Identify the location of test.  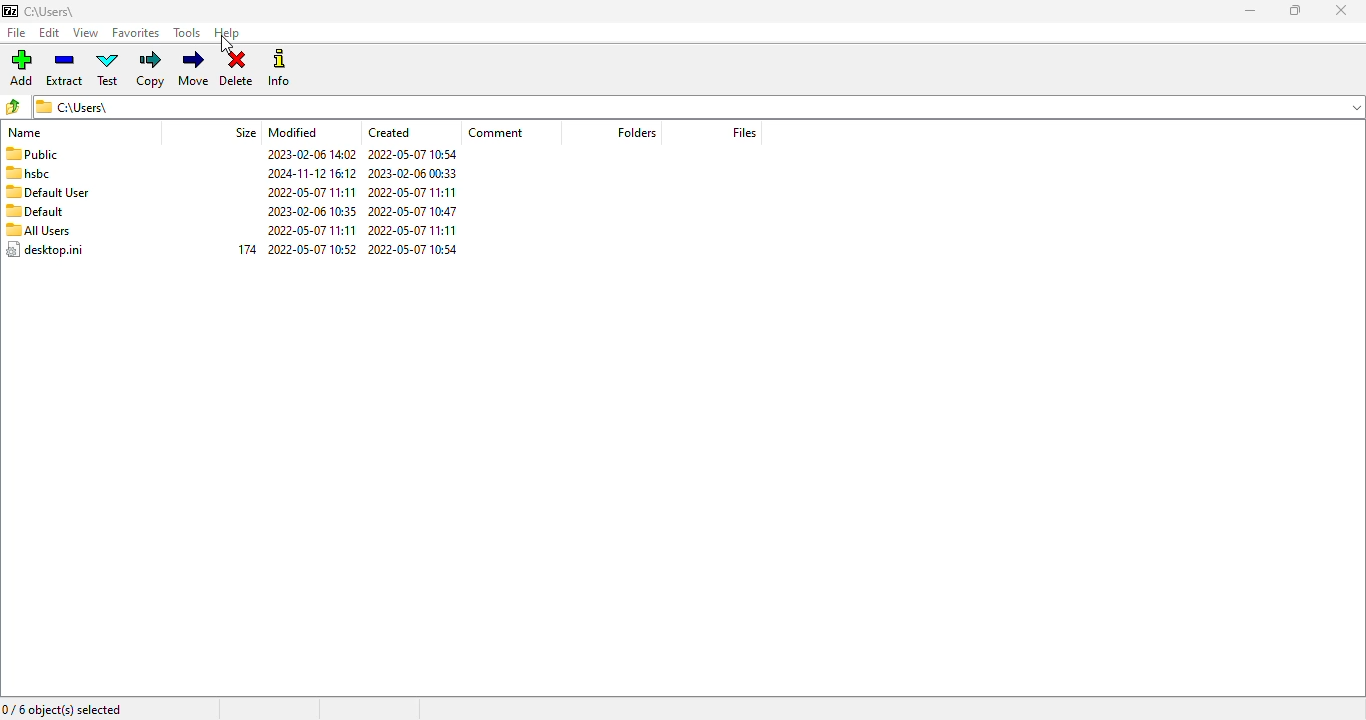
(108, 68).